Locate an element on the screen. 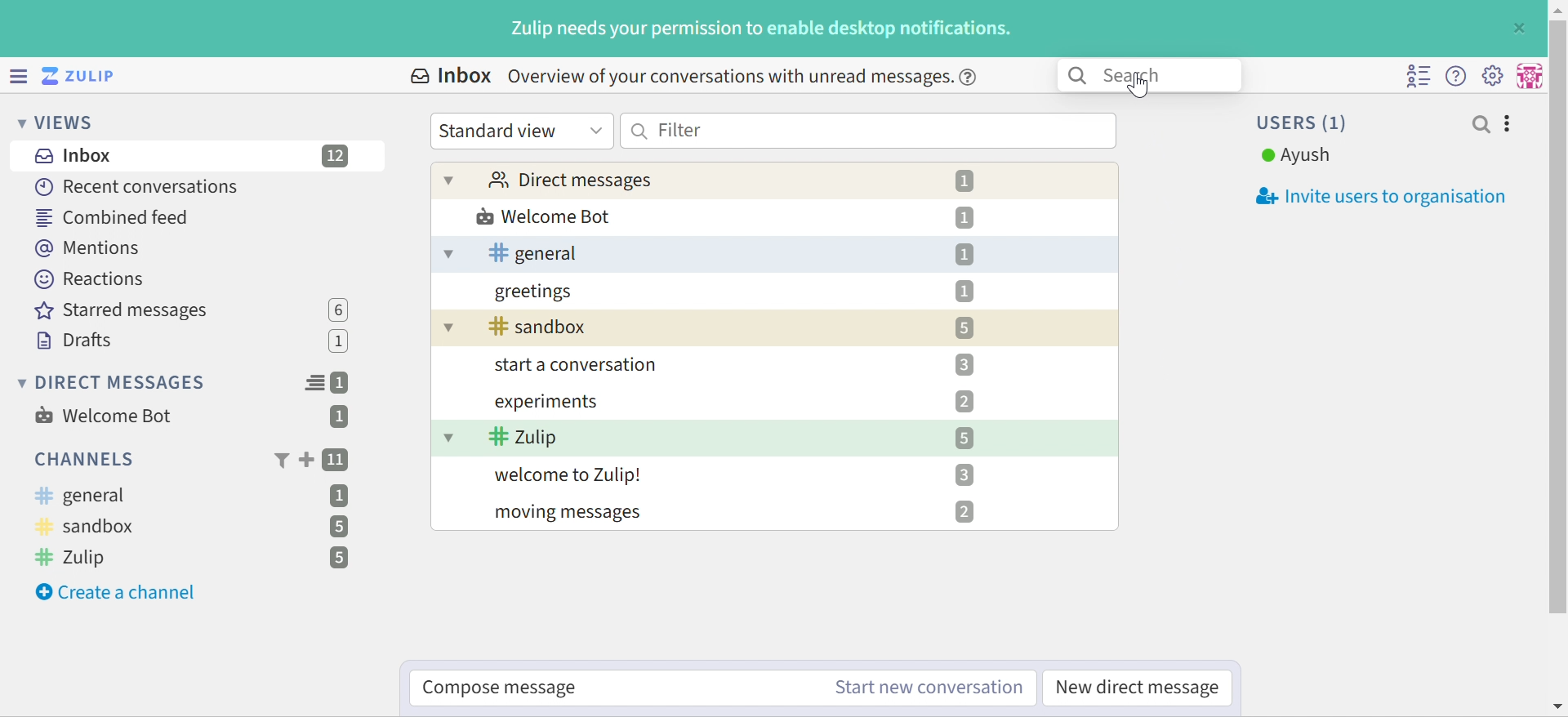 This screenshot has width=1568, height=717. Welcome Bot is located at coordinates (543, 216).